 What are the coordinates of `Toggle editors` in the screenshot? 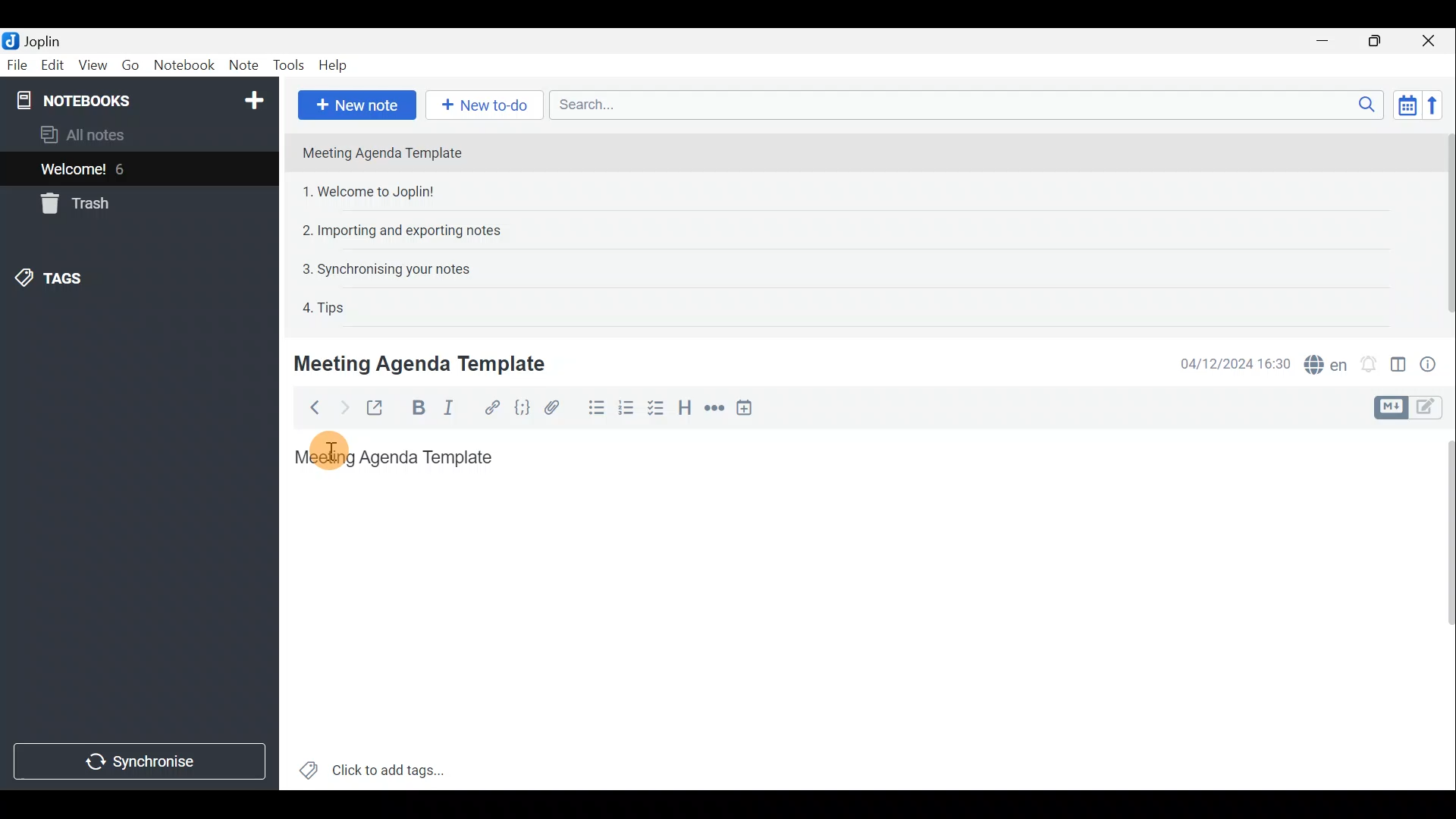 It's located at (1389, 408).